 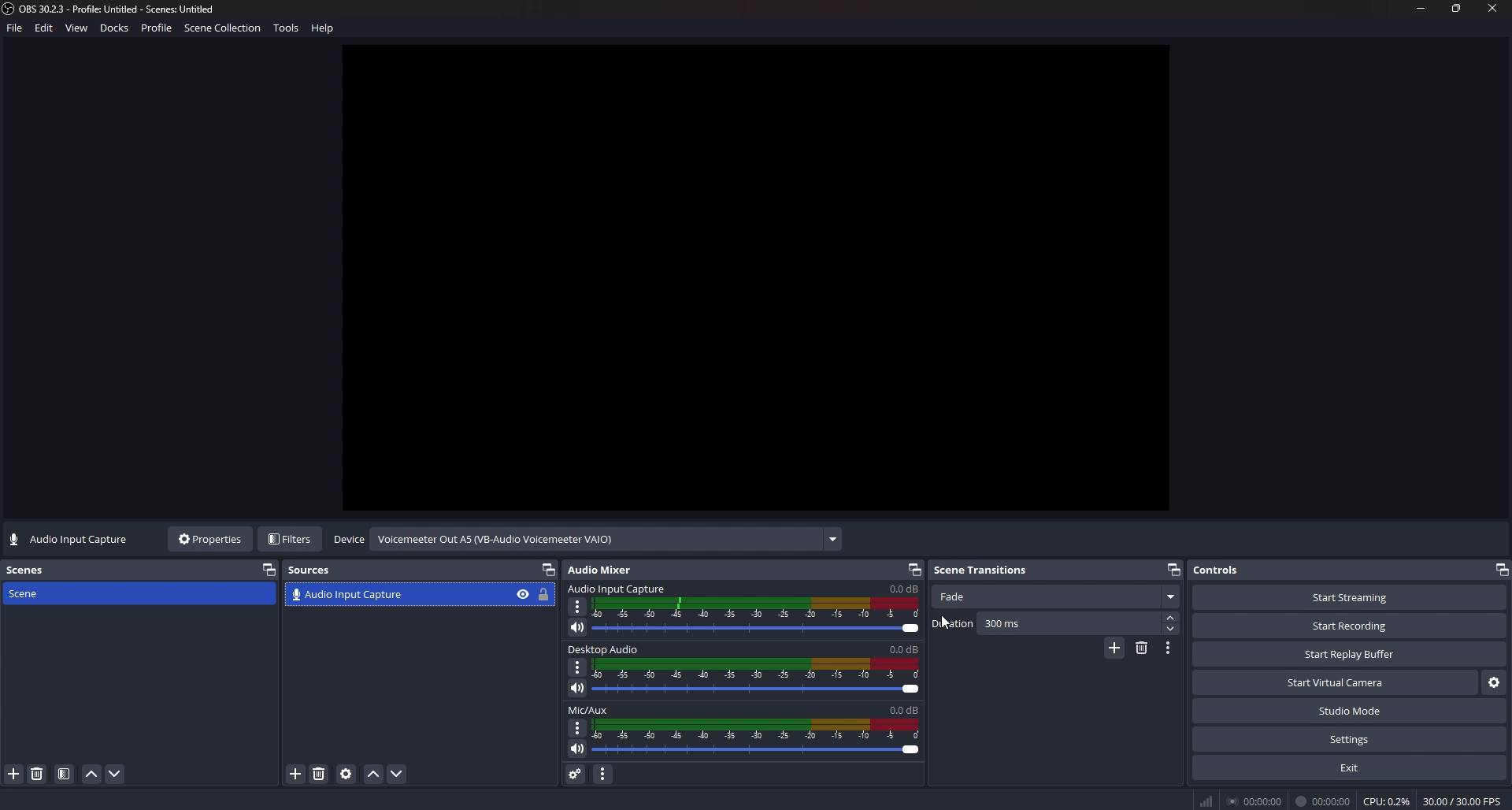 What do you see at coordinates (903, 588) in the screenshot?
I see `volume level` at bounding box center [903, 588].